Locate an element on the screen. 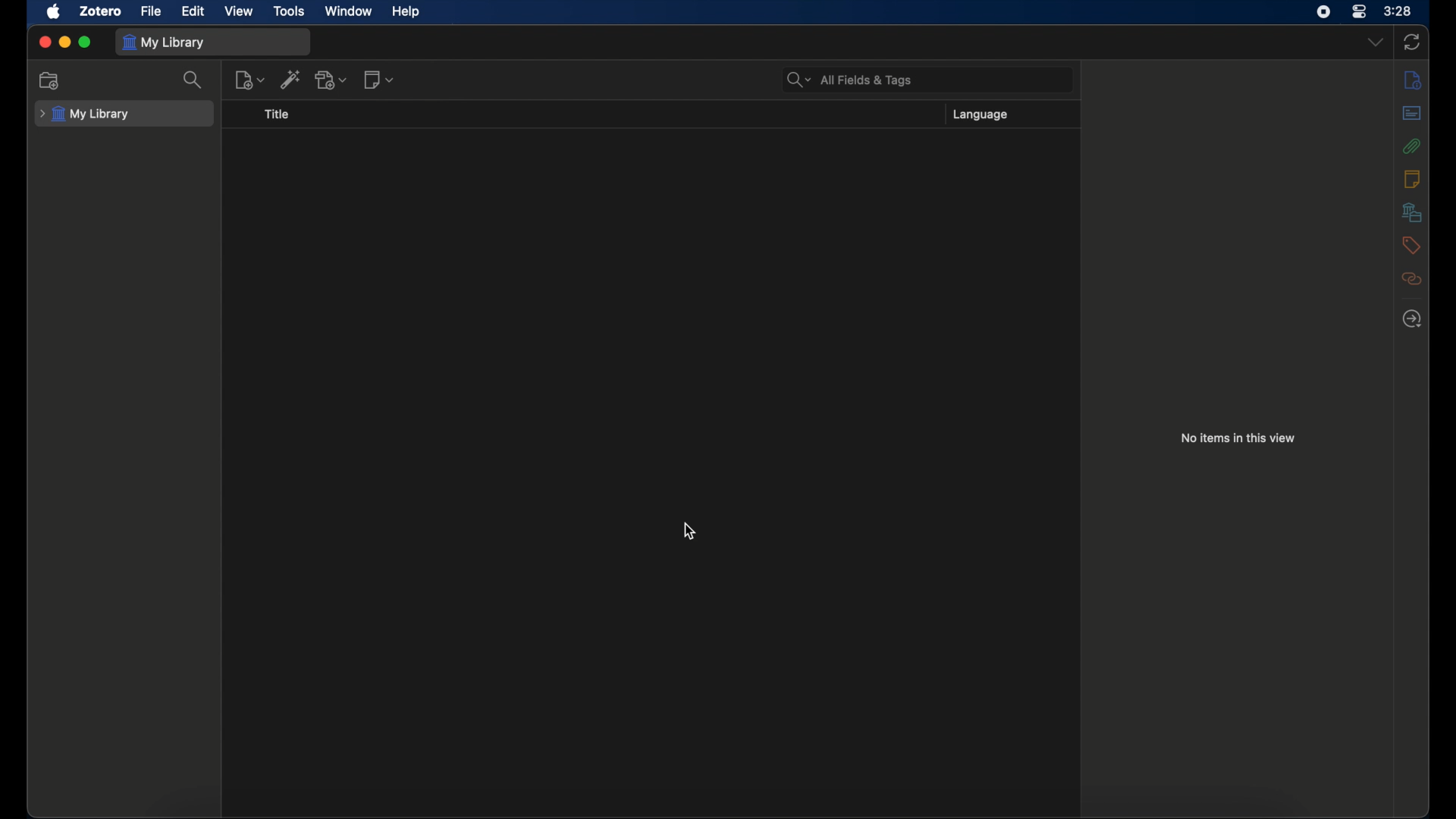 The height and width of the screenshot is (819, 1456). zotero is located at coordinates (100, 11).